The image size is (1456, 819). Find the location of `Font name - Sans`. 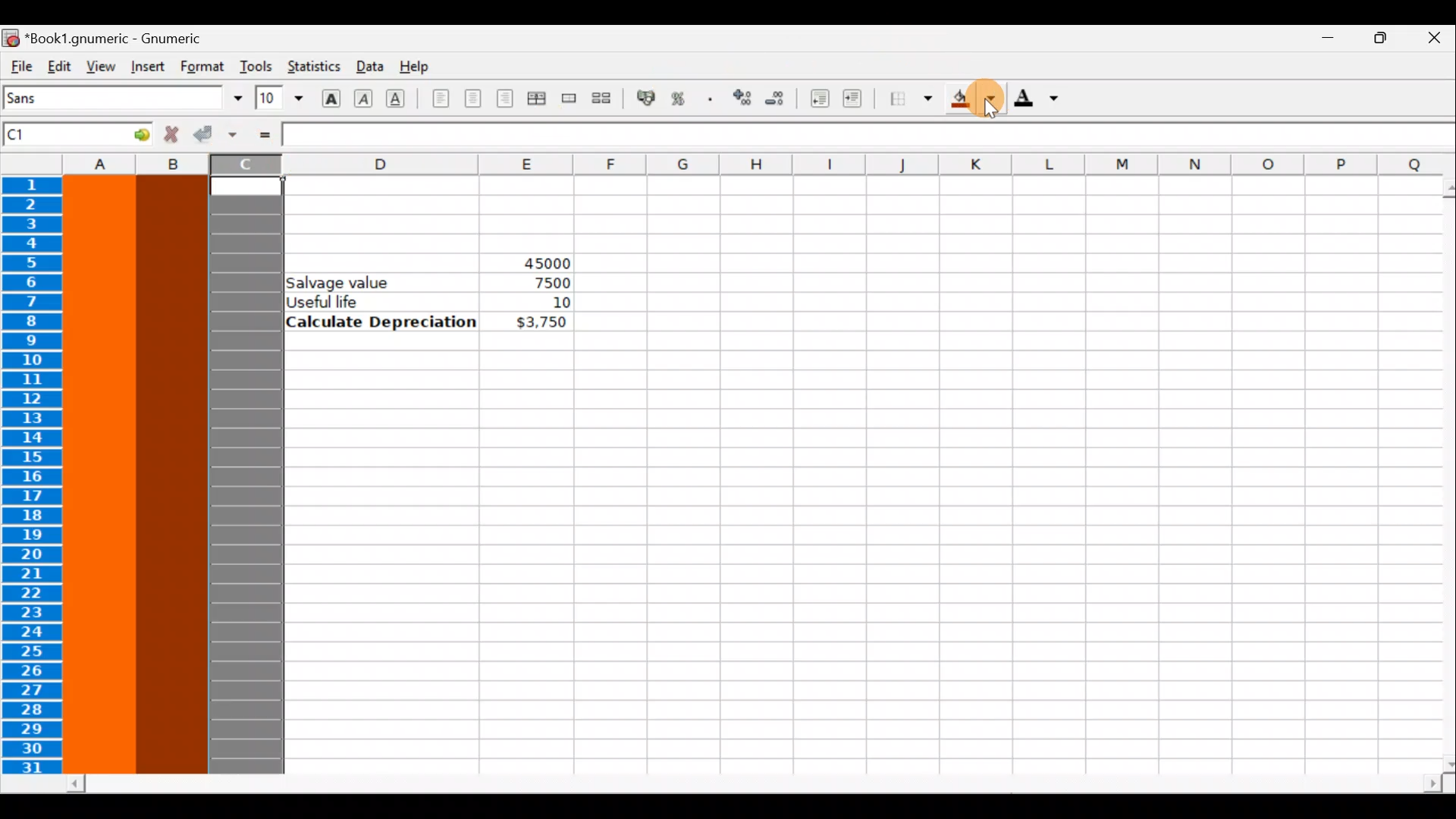

Font name - Sans is located at coordinates (120, 99).